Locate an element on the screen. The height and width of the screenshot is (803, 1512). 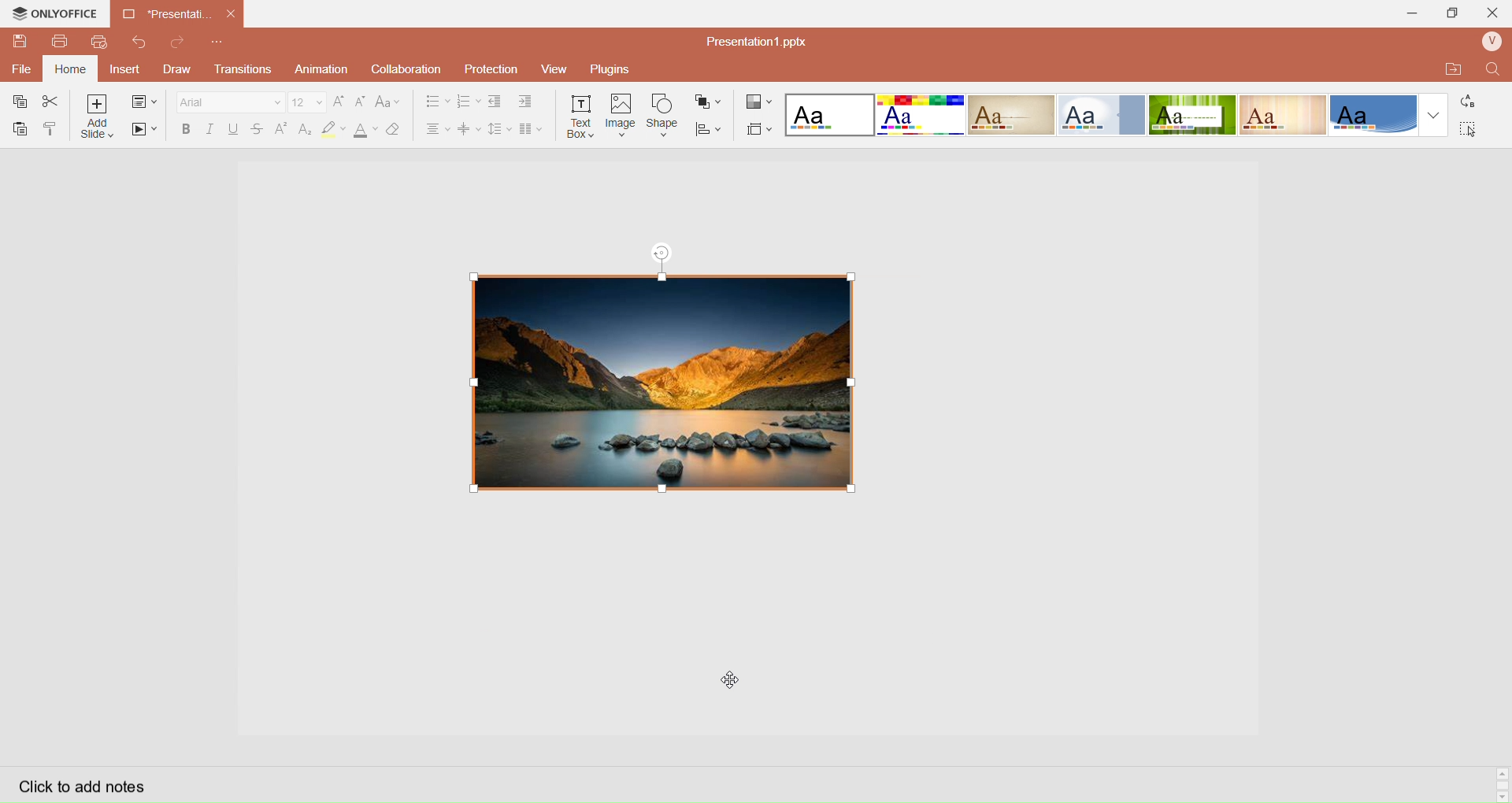
Paste is located at coordinates (22, 131).